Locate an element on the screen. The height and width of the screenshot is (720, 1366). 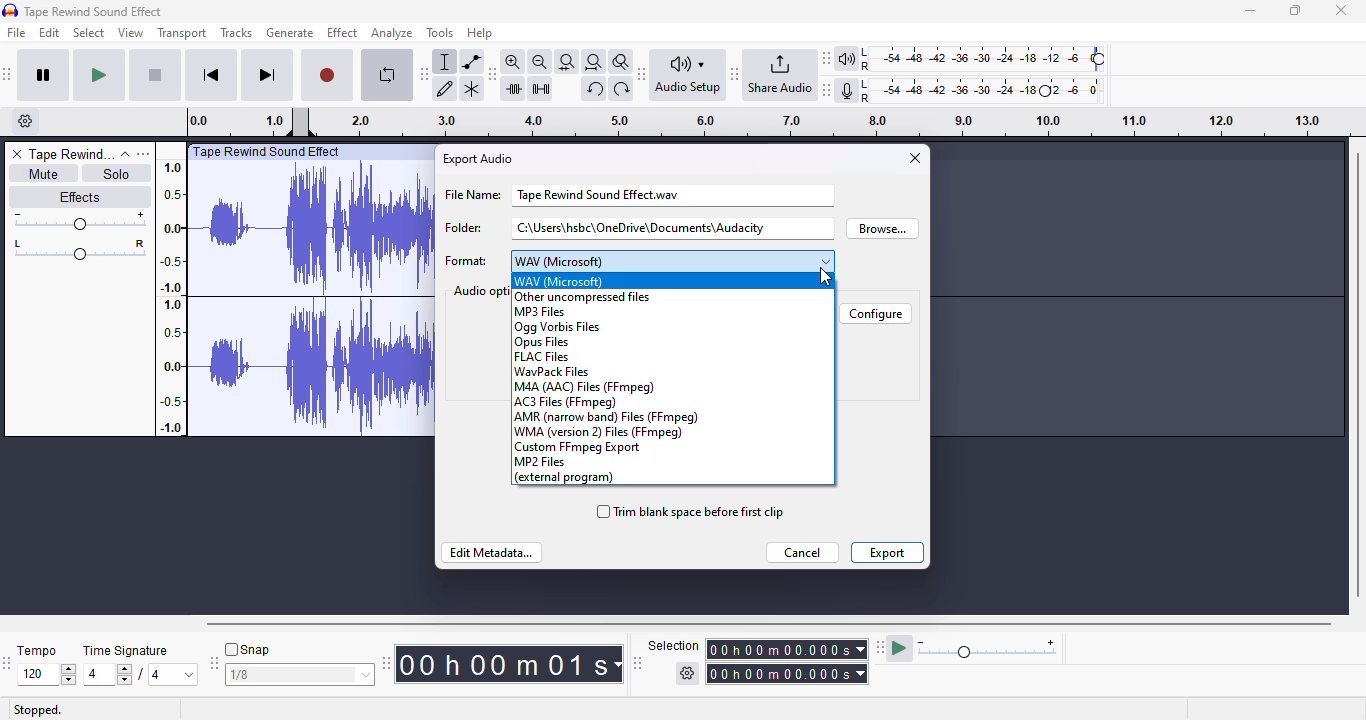
audacity time signature toolbar is located at coordinates (9, 662).